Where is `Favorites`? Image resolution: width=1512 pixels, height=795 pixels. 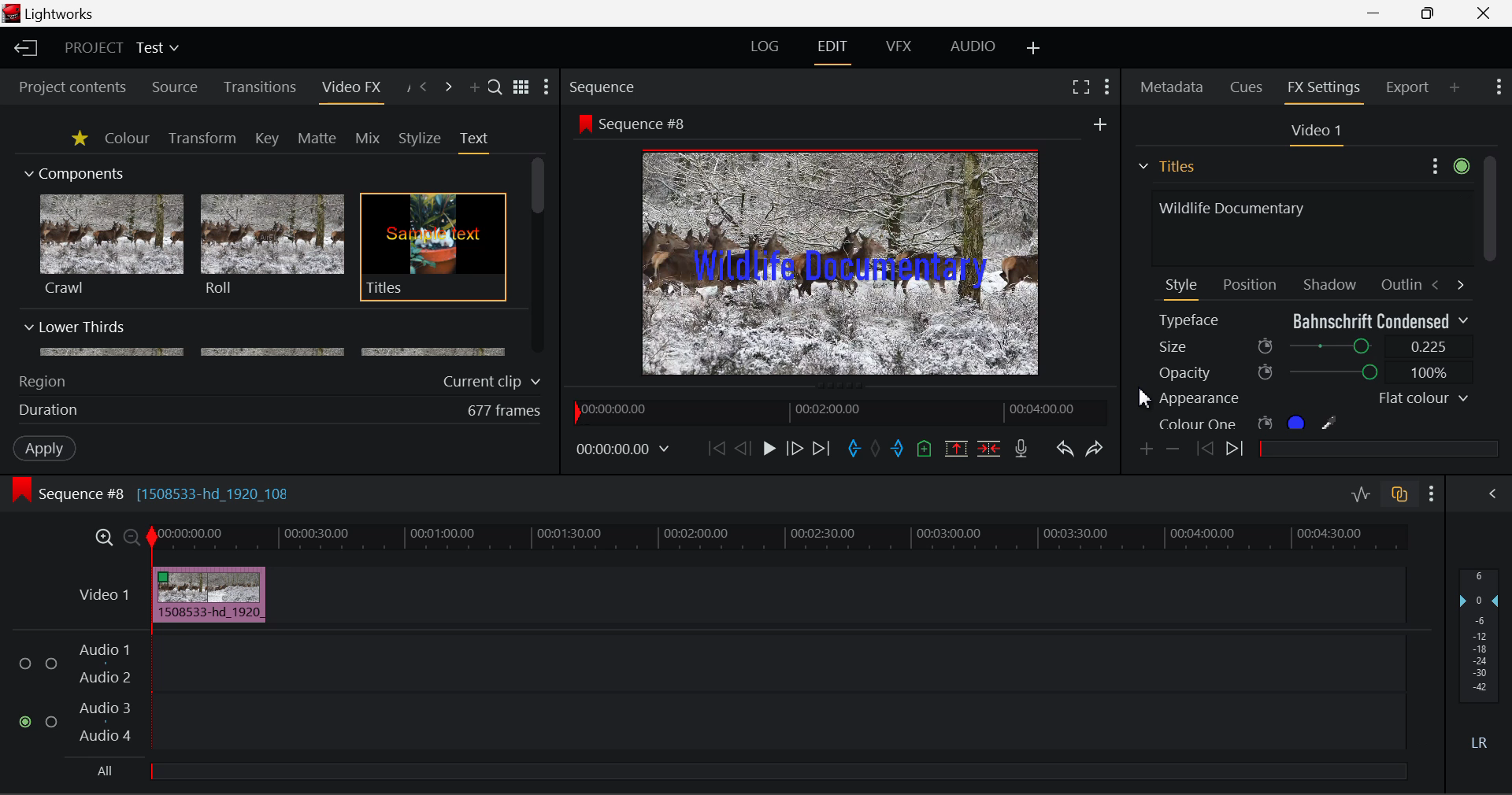
Favorites is located at coordinates (81, 139).